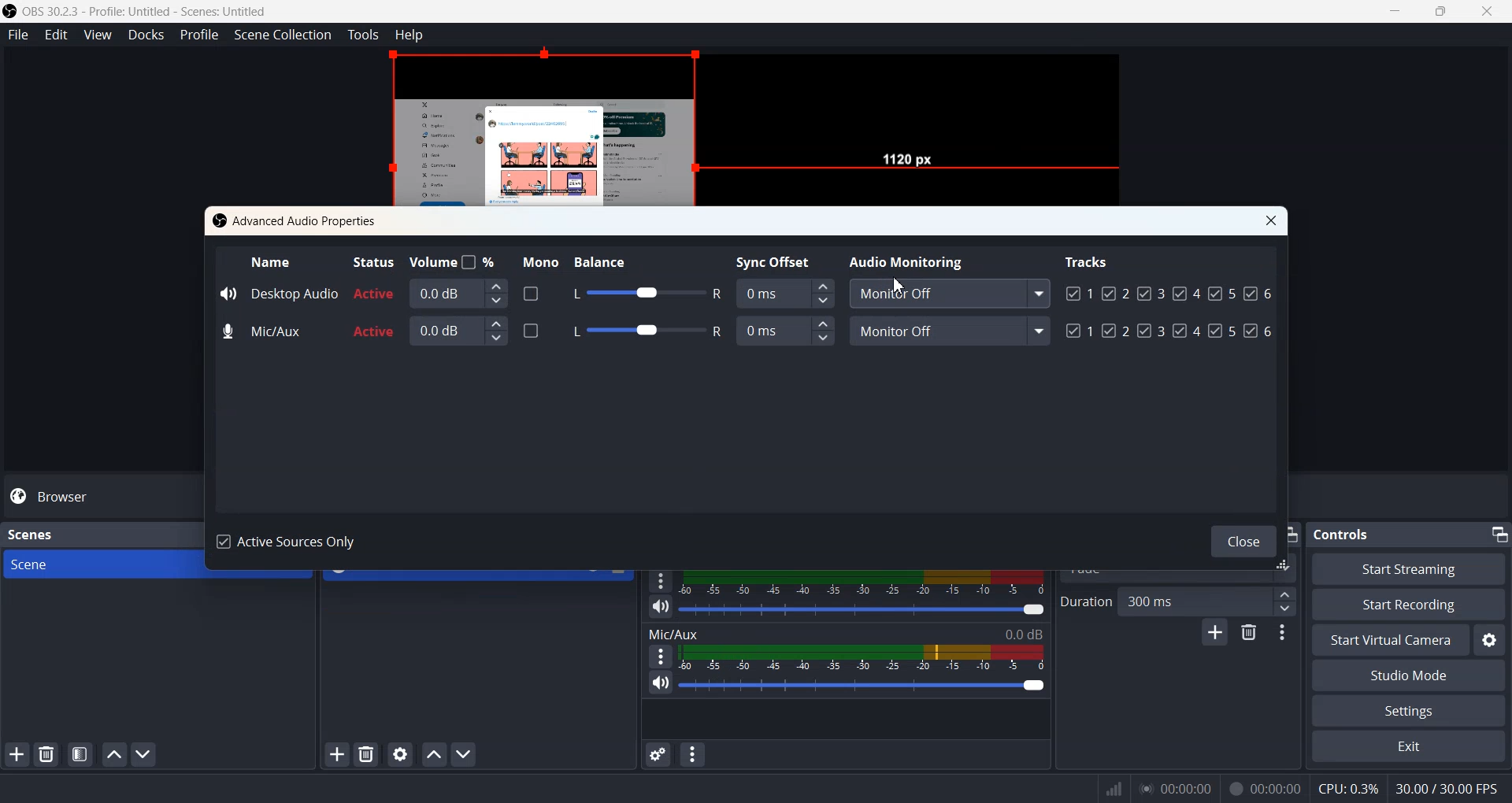  What do you see at coordinates (1285, 635) in the screenshot?
I see `Transition properties` at bounding box center [1285, 635].